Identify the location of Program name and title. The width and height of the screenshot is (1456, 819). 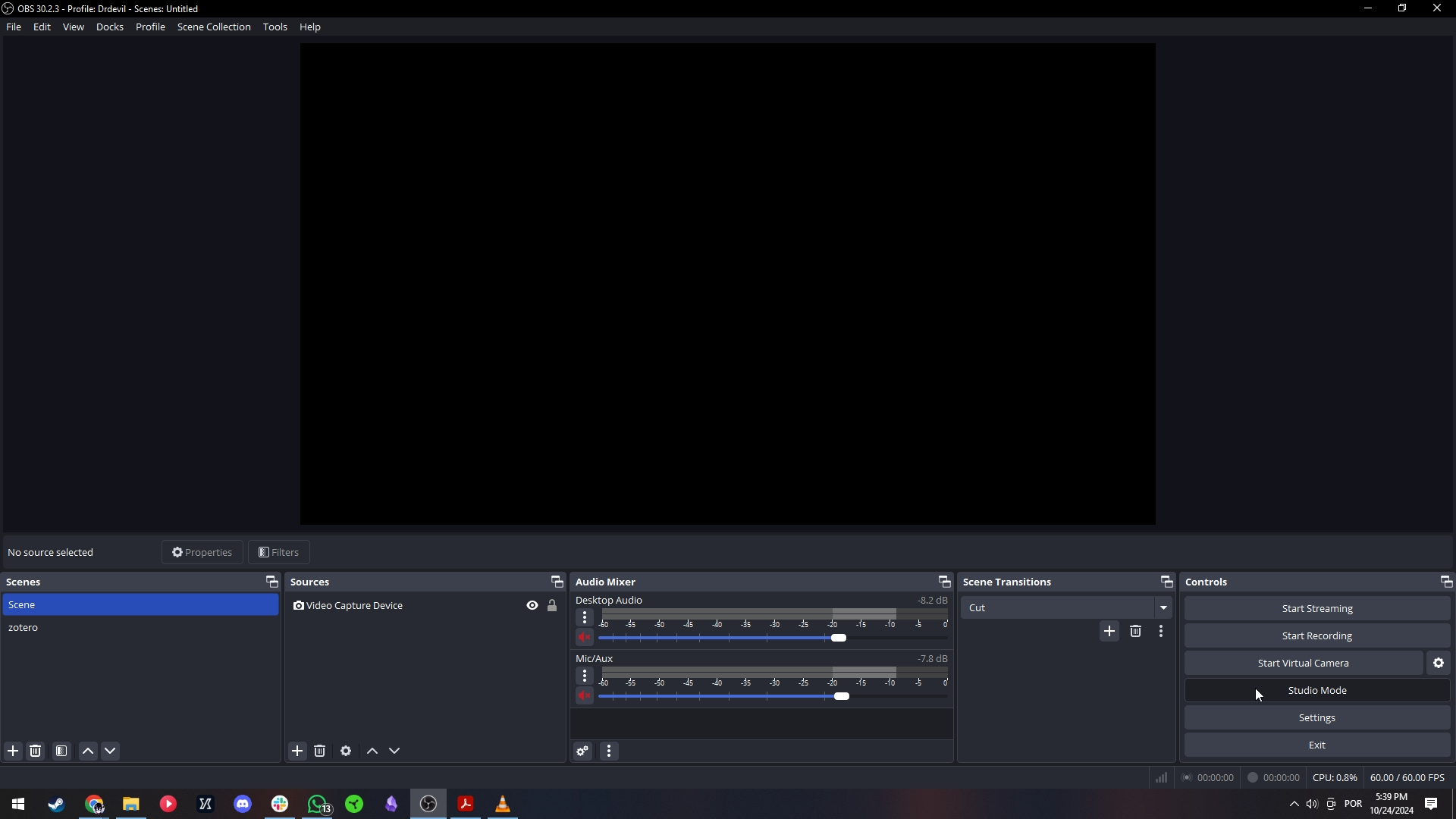
(108, 8).